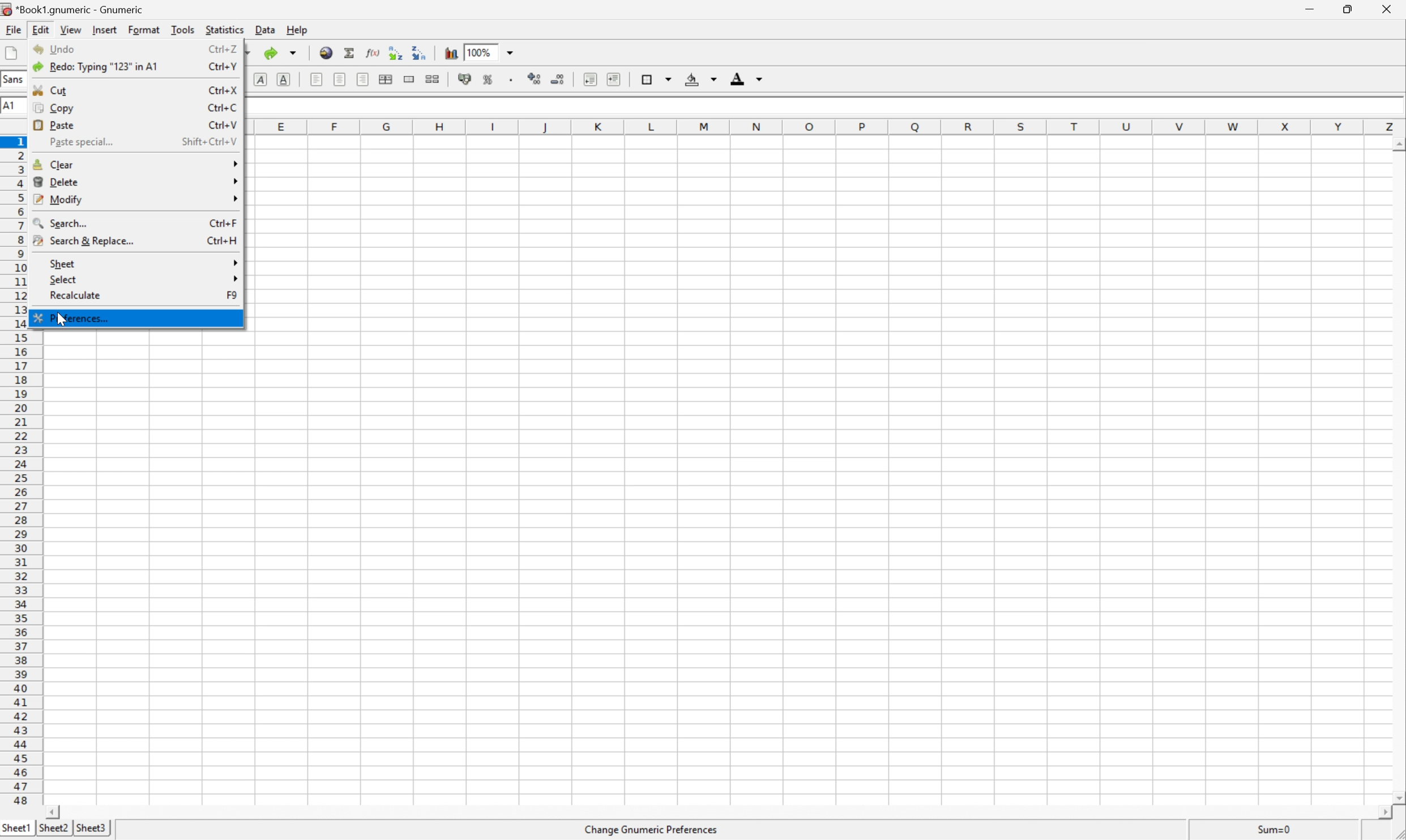  Describe the element at coordinates (133, 50) in the screenshot. I see `undo ctrl+z` at that location.